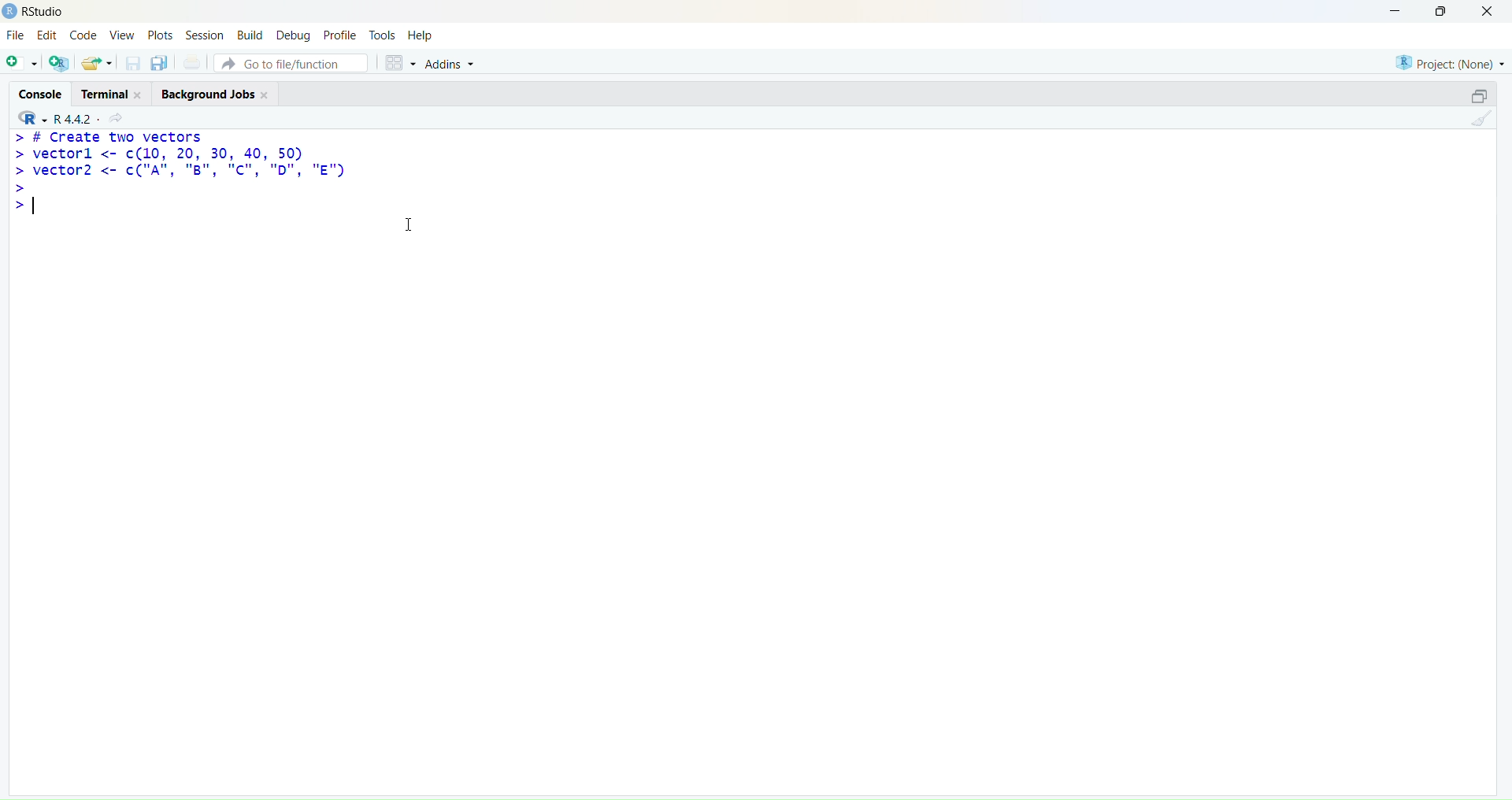 This screenshot has width=1512, height=800. What do you see at coordinates (1395, 12) in the screenshot?
I see `Minimize` at bounding box center [1395, 12].